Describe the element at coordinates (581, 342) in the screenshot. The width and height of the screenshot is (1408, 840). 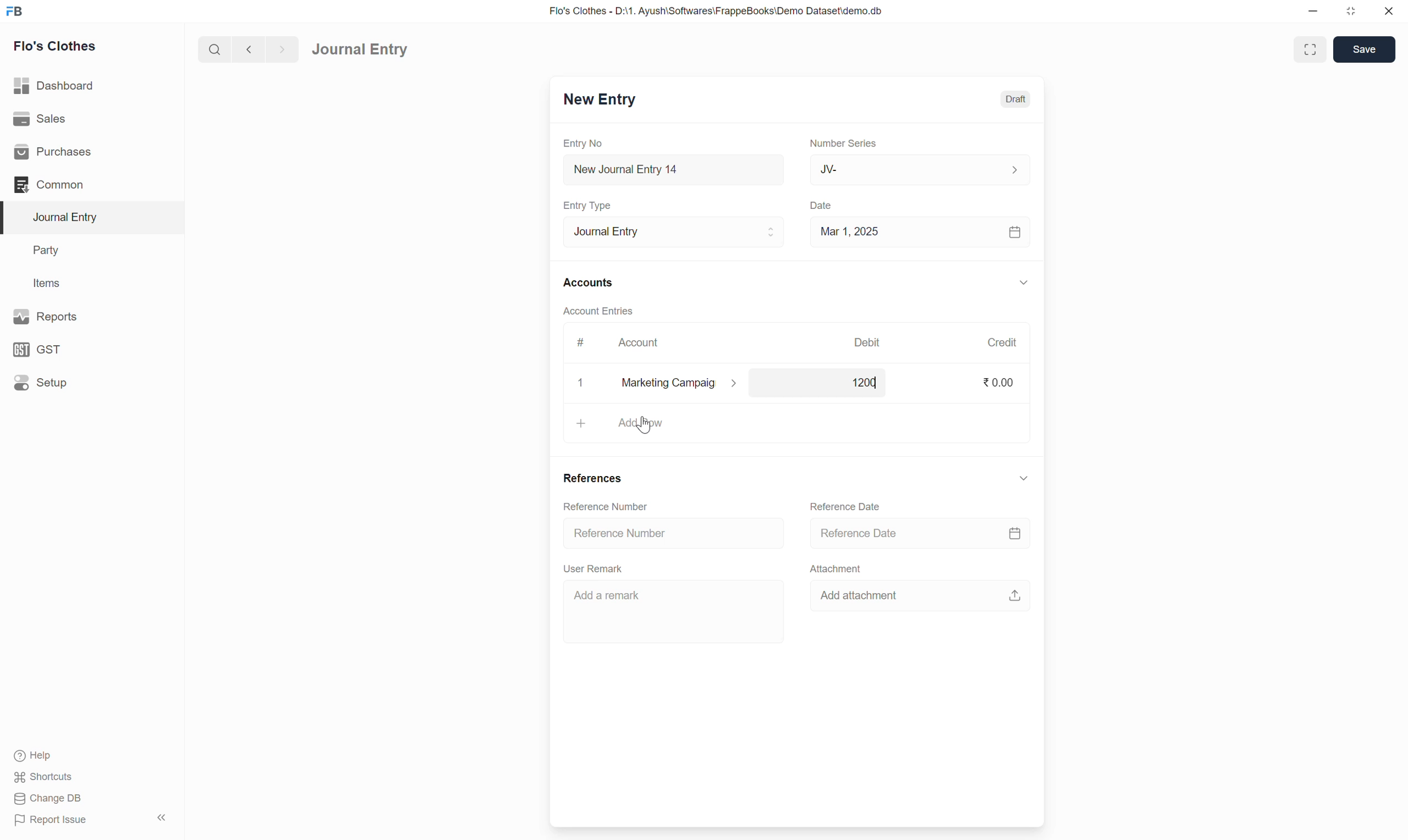
I see `#` at that location.